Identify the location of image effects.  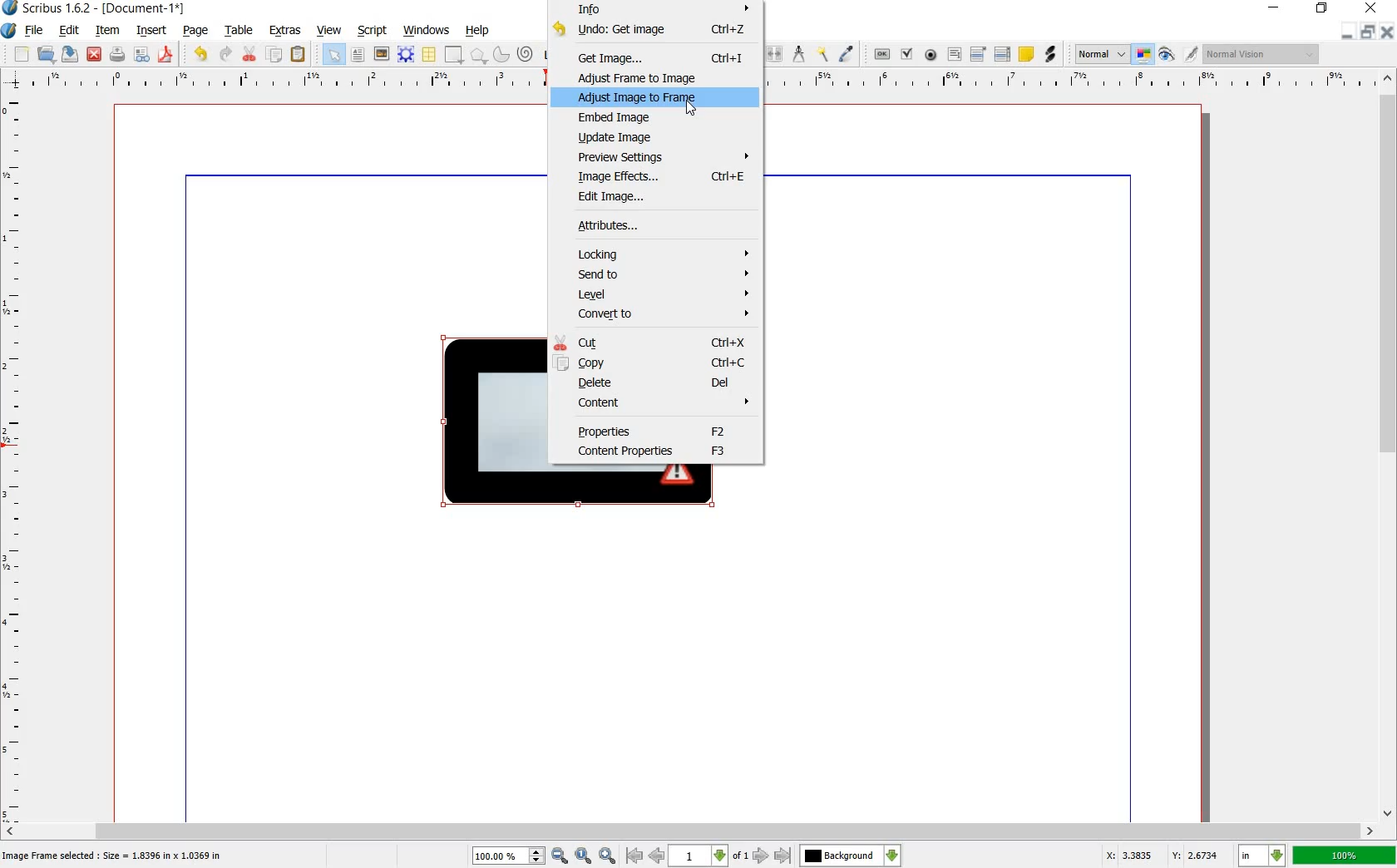
(661, 175).